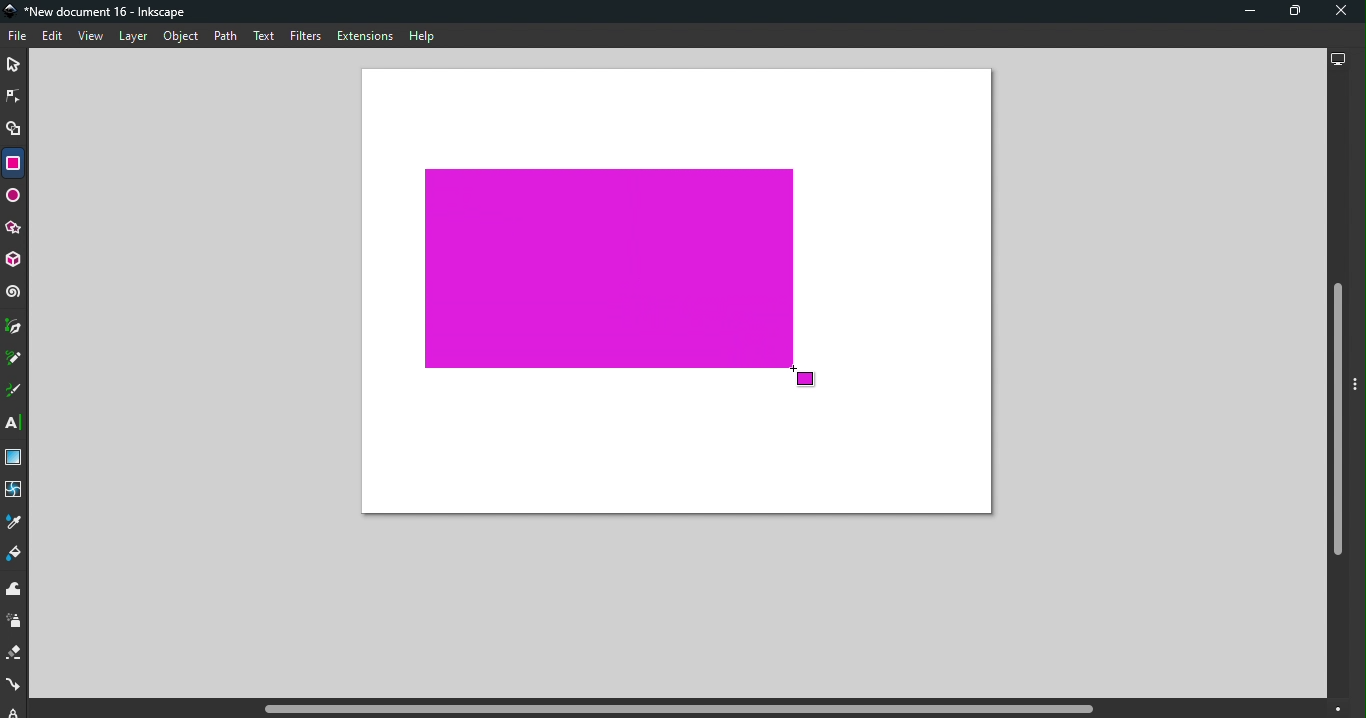 This screenshot has width=1366, height=718. I want to click on File, so click(20, 37).